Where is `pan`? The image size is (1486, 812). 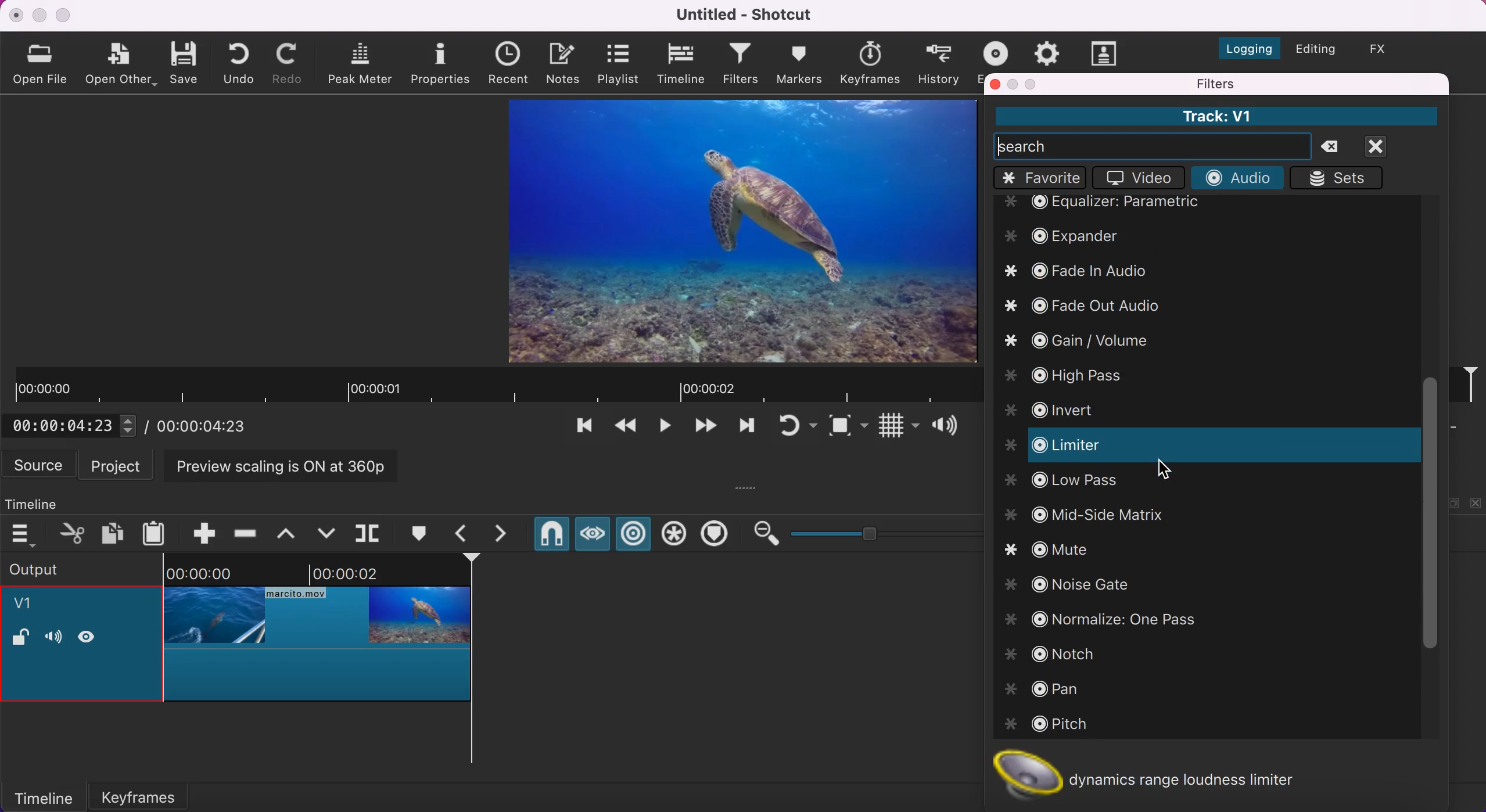 pan is located at coordinates (1049, 689).